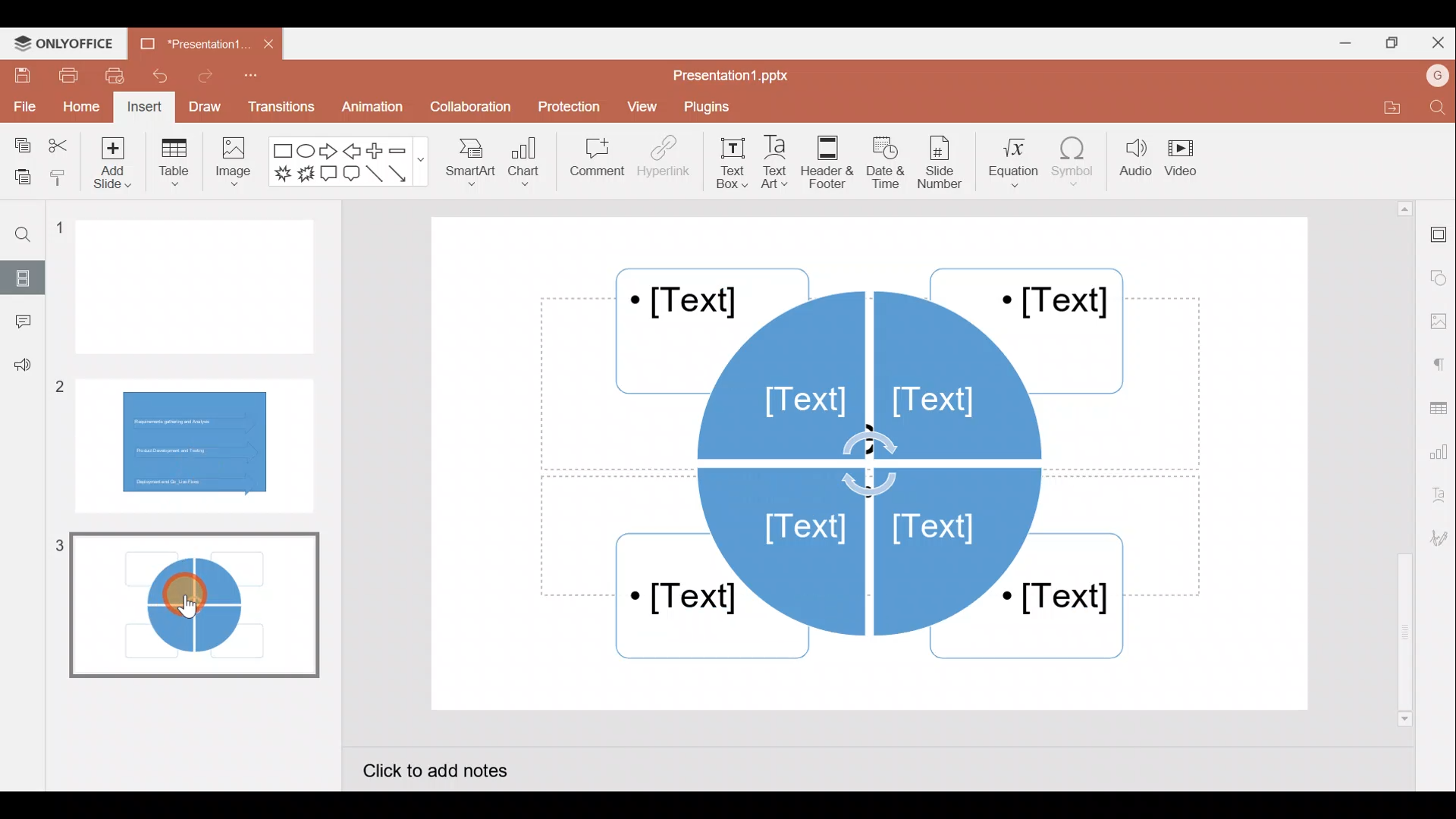 Image resolution: width=1456 pixels, height=819 pixels. Describe the element at coordinates (401, 174) in the screenshot. I see `Arrow` at that location.